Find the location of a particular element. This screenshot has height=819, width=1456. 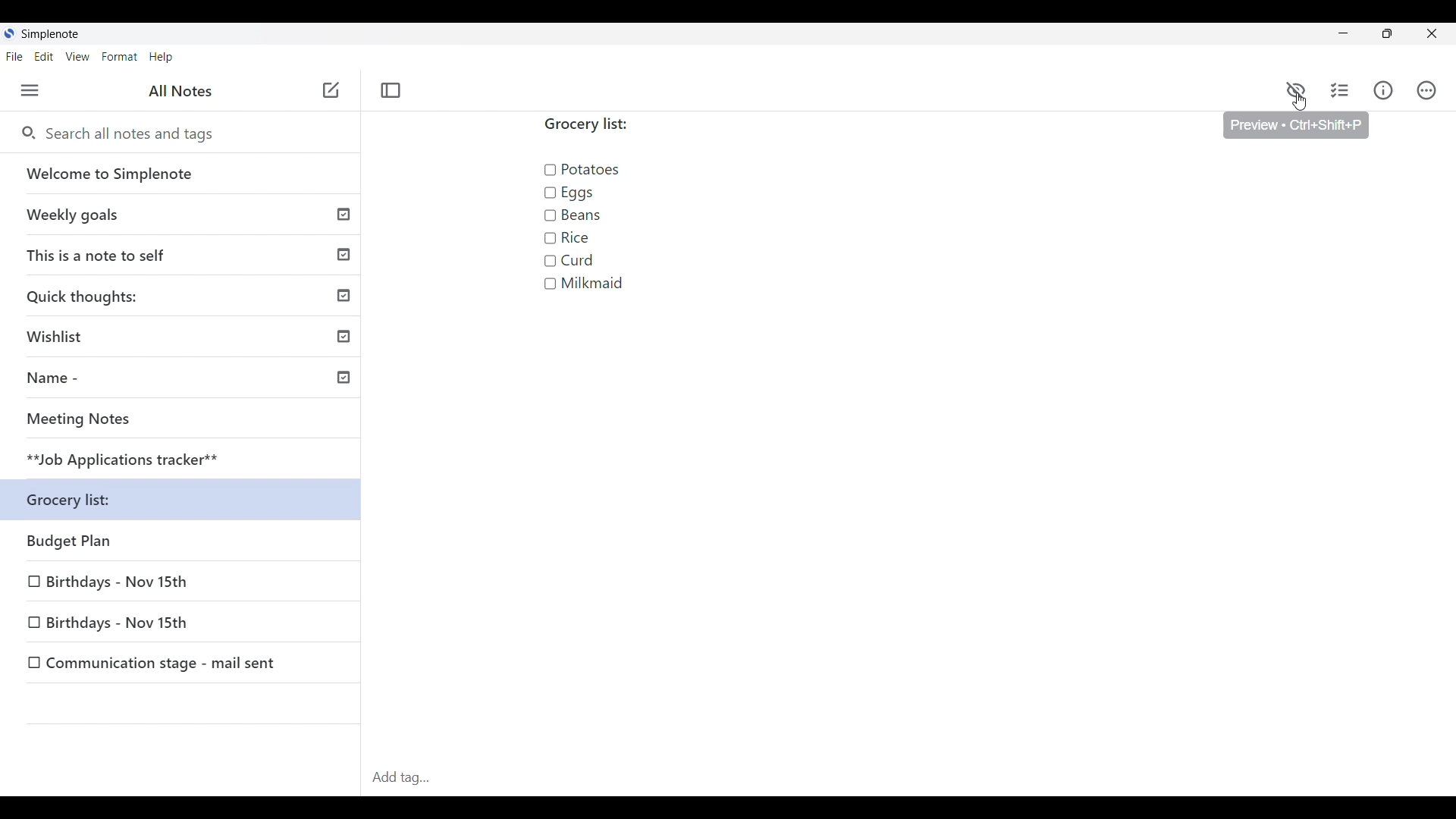

Help is located at coordinates (162, 58).